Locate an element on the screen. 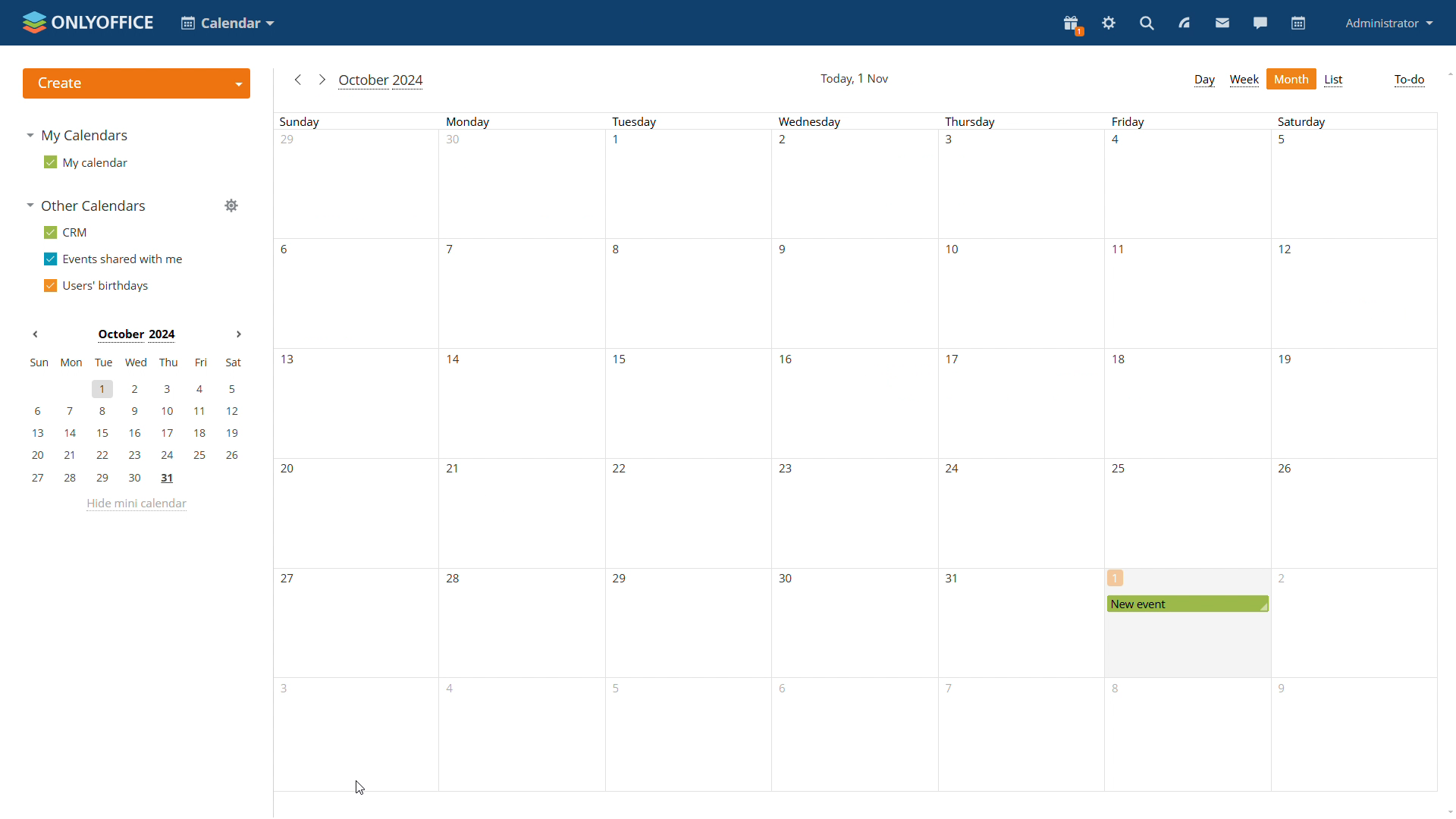  present is located at coordinates (1072, 24).